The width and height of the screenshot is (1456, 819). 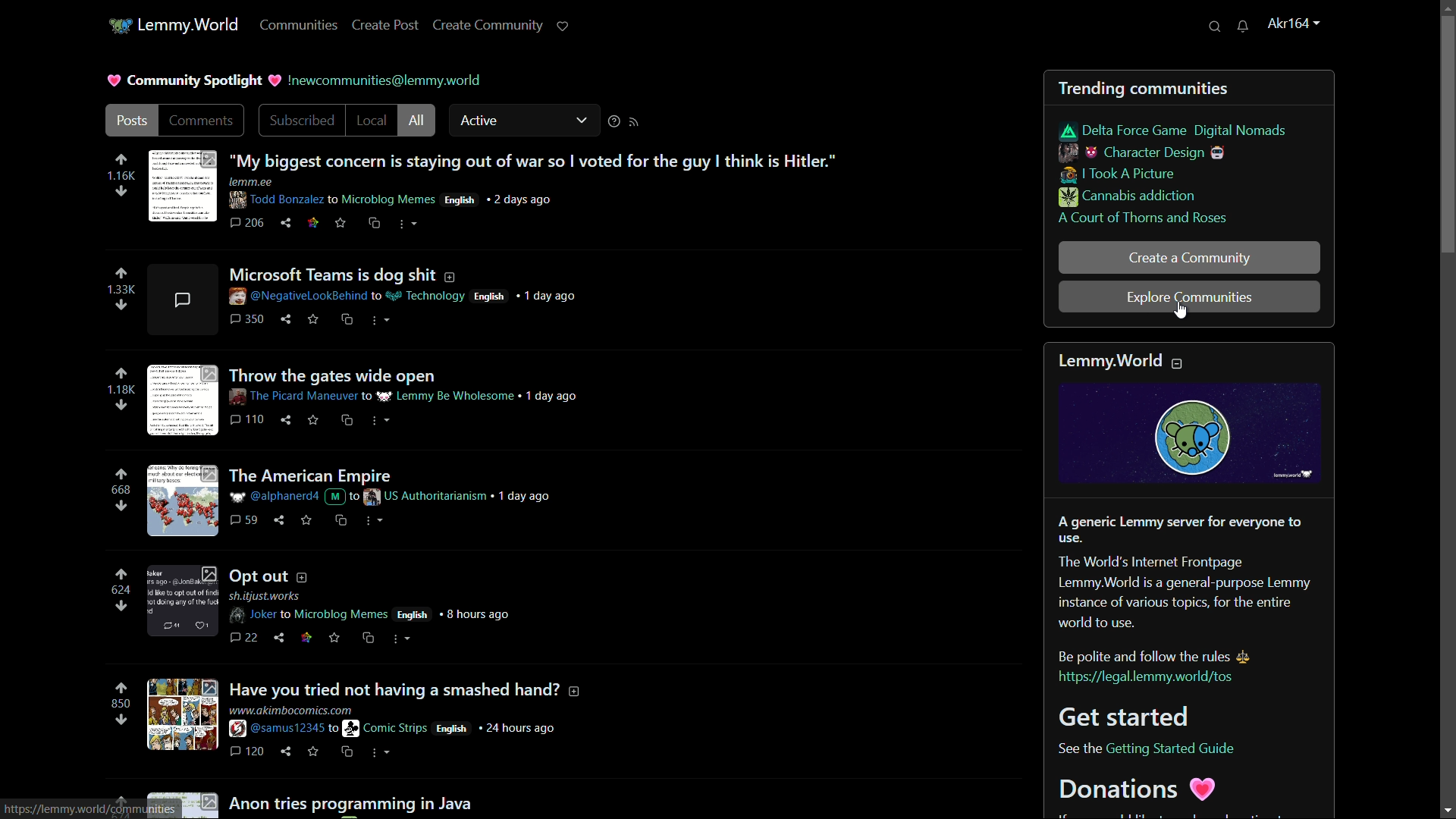 What do you see at coordinates (409, 224) in the screenshot?
I see `more` at bounding box center [409, 224].